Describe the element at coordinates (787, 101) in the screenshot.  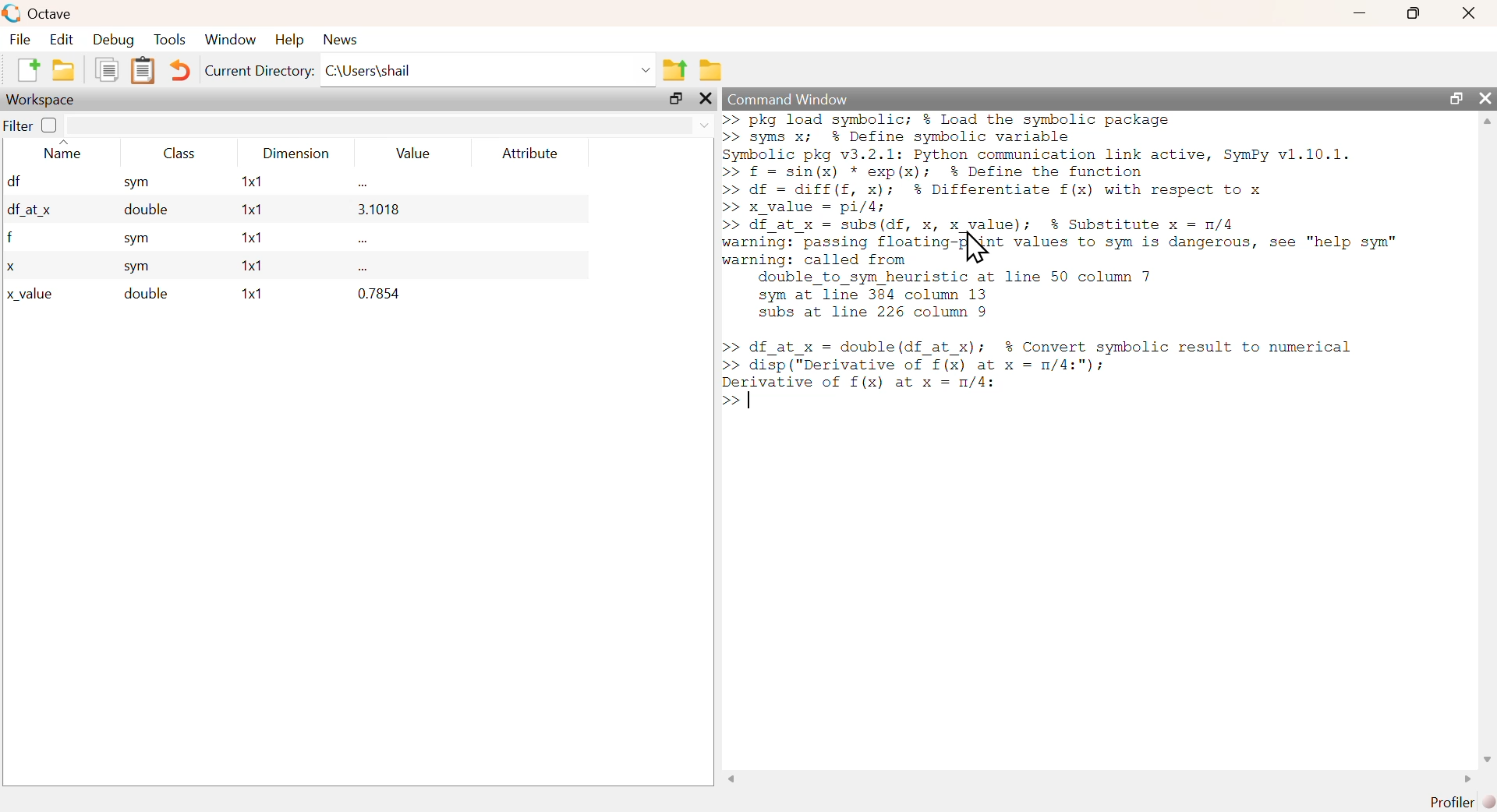
I see `Command Window` at that location.